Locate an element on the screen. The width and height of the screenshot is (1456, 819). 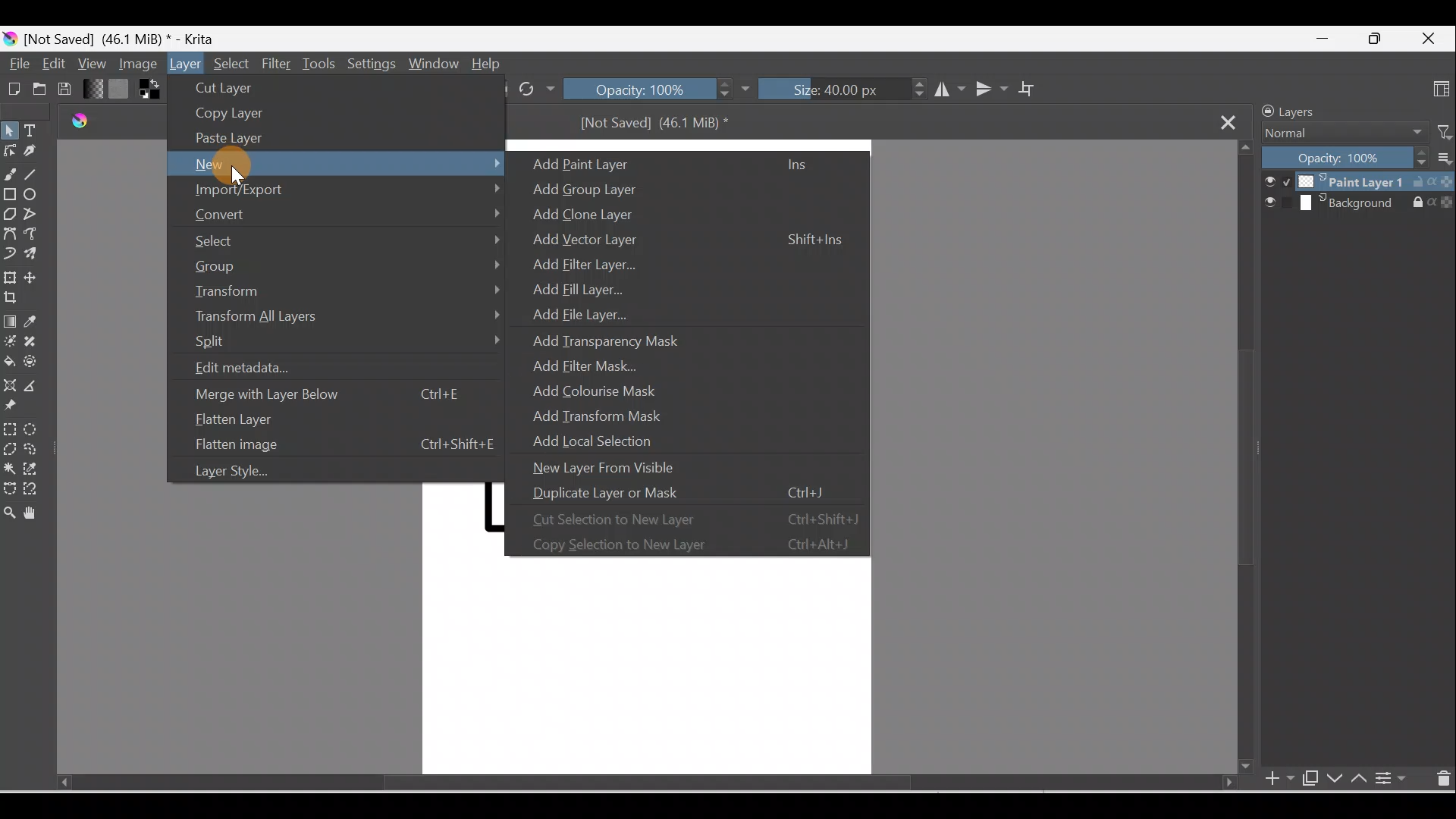
Calligraphy is located at coordinates (33, 153).